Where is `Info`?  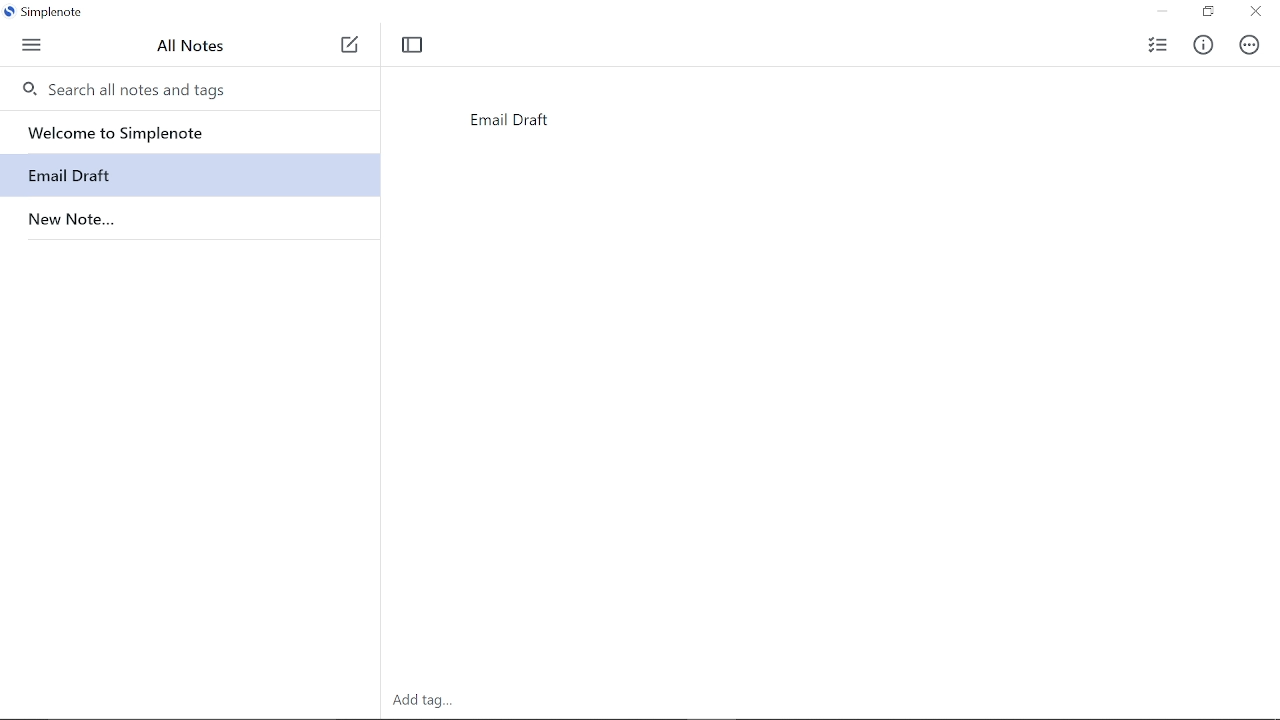 Info is located at coordinates (1205, 46).